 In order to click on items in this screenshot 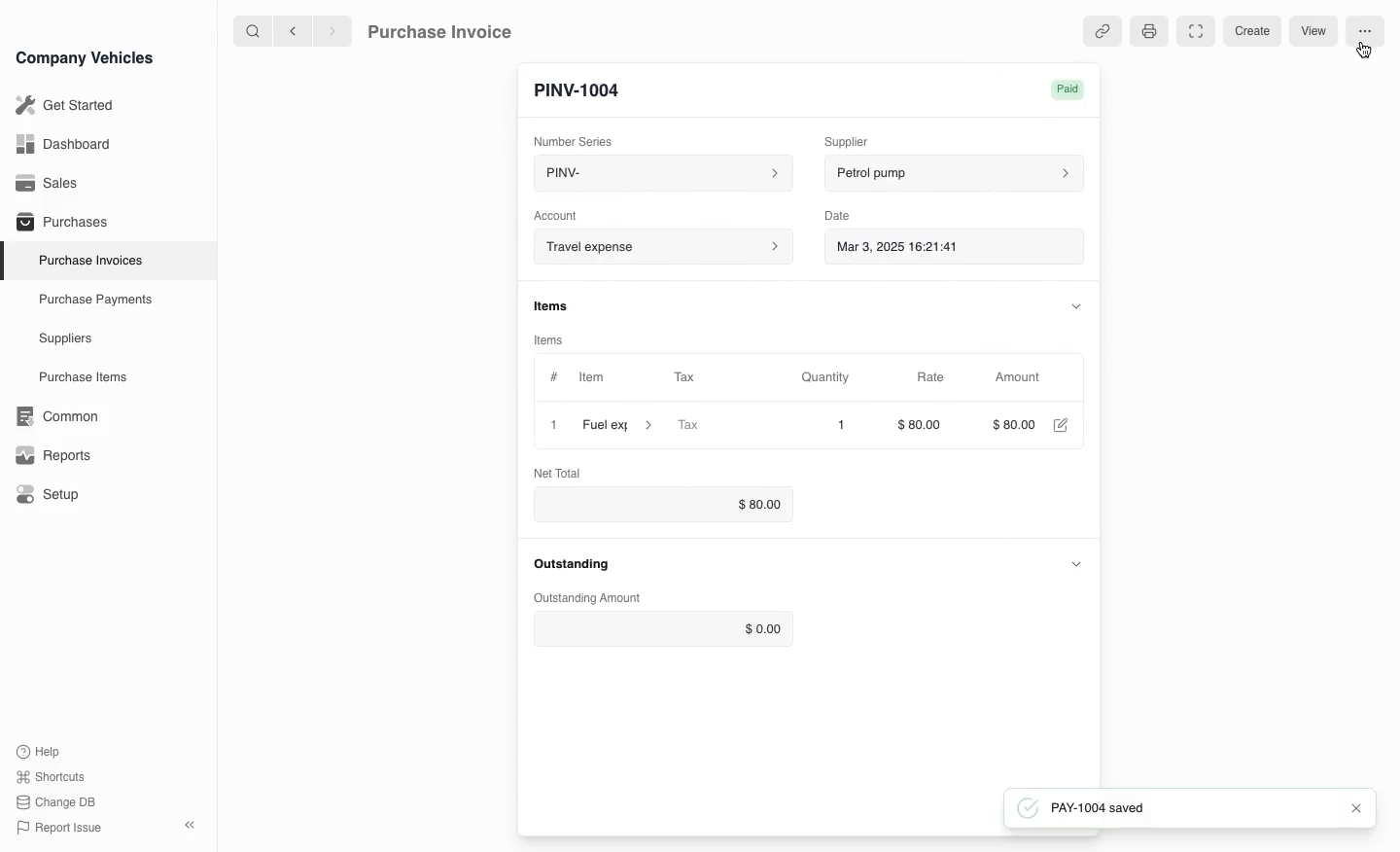, I will do `click(556, 342)`.